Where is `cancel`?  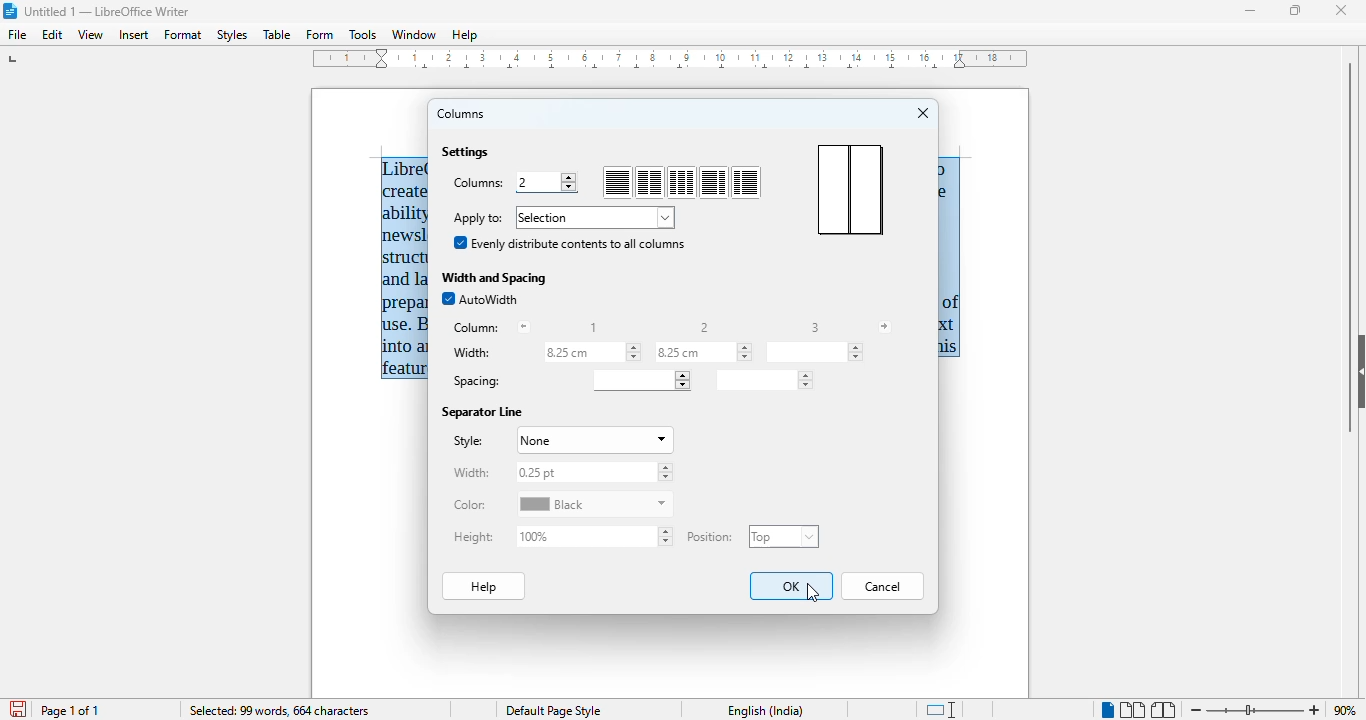
cancel is located at coordinates (883, 586).